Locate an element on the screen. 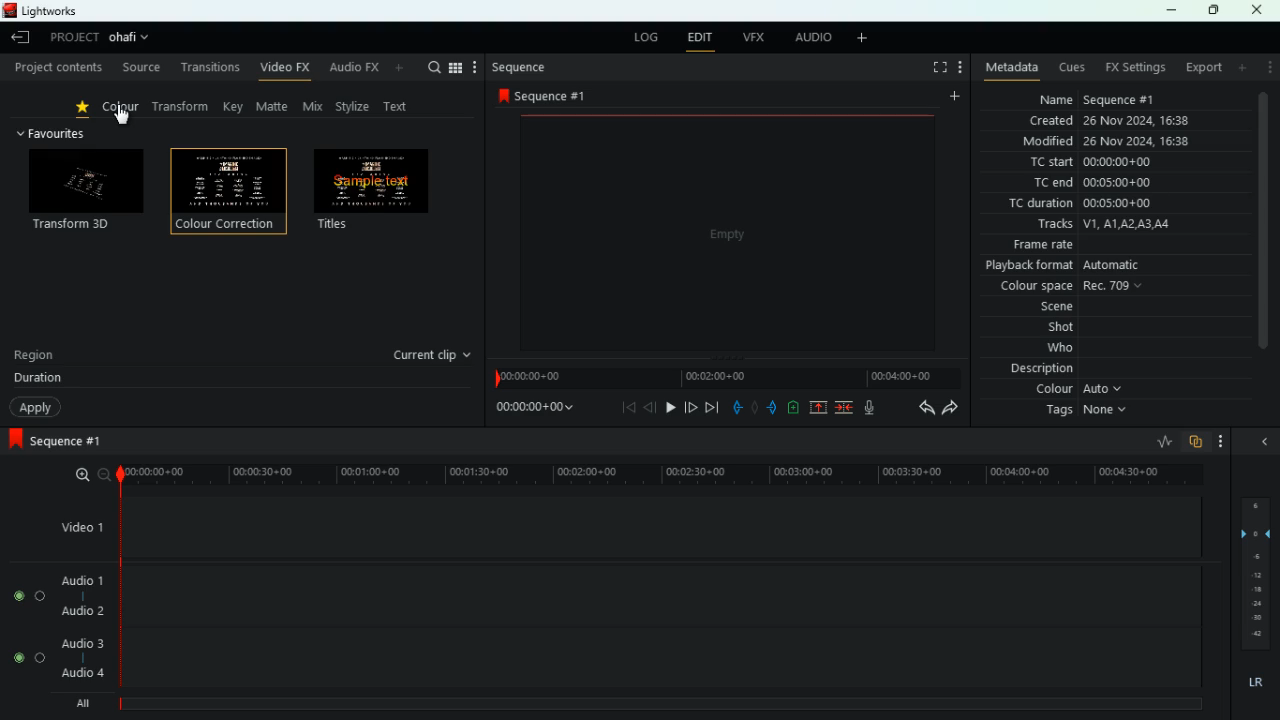 This screenshot has height=720, width=1280. backward is located at coordinates (921, 408).